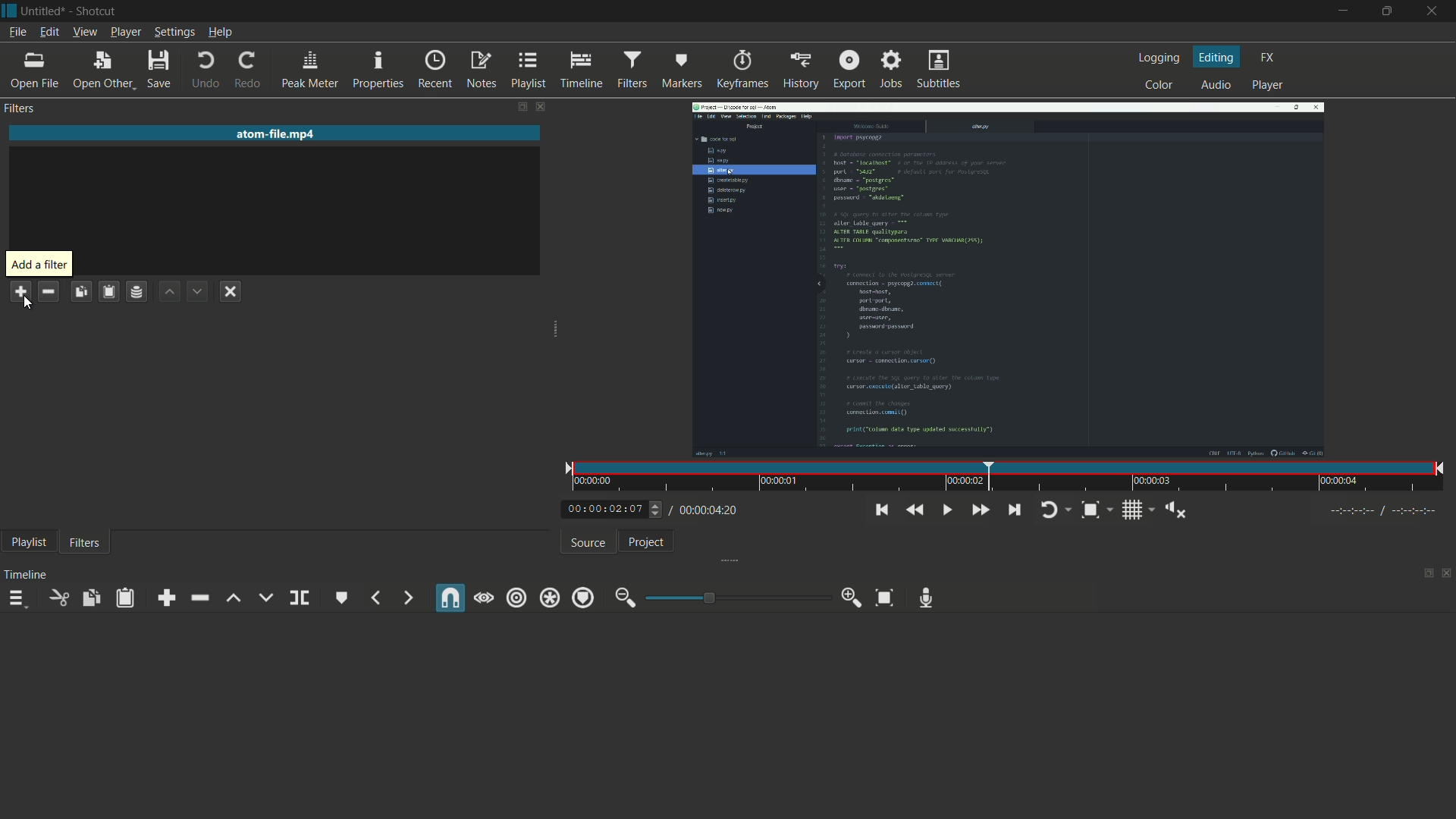 This screenshot has width=1456, height=819. I want to click on filters, so click(632, 71).